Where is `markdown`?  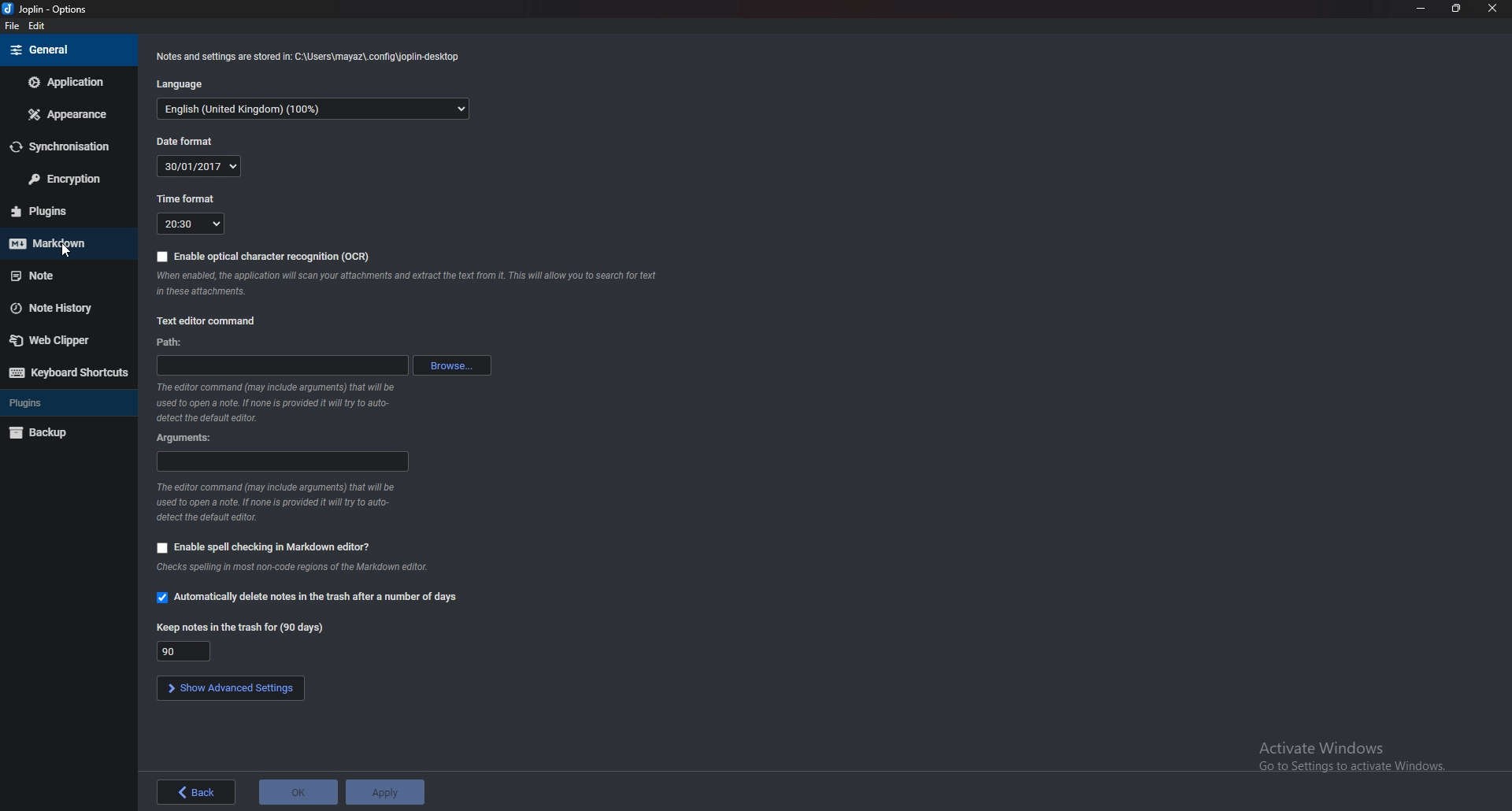 markdown is located at coordinates (61, 243).